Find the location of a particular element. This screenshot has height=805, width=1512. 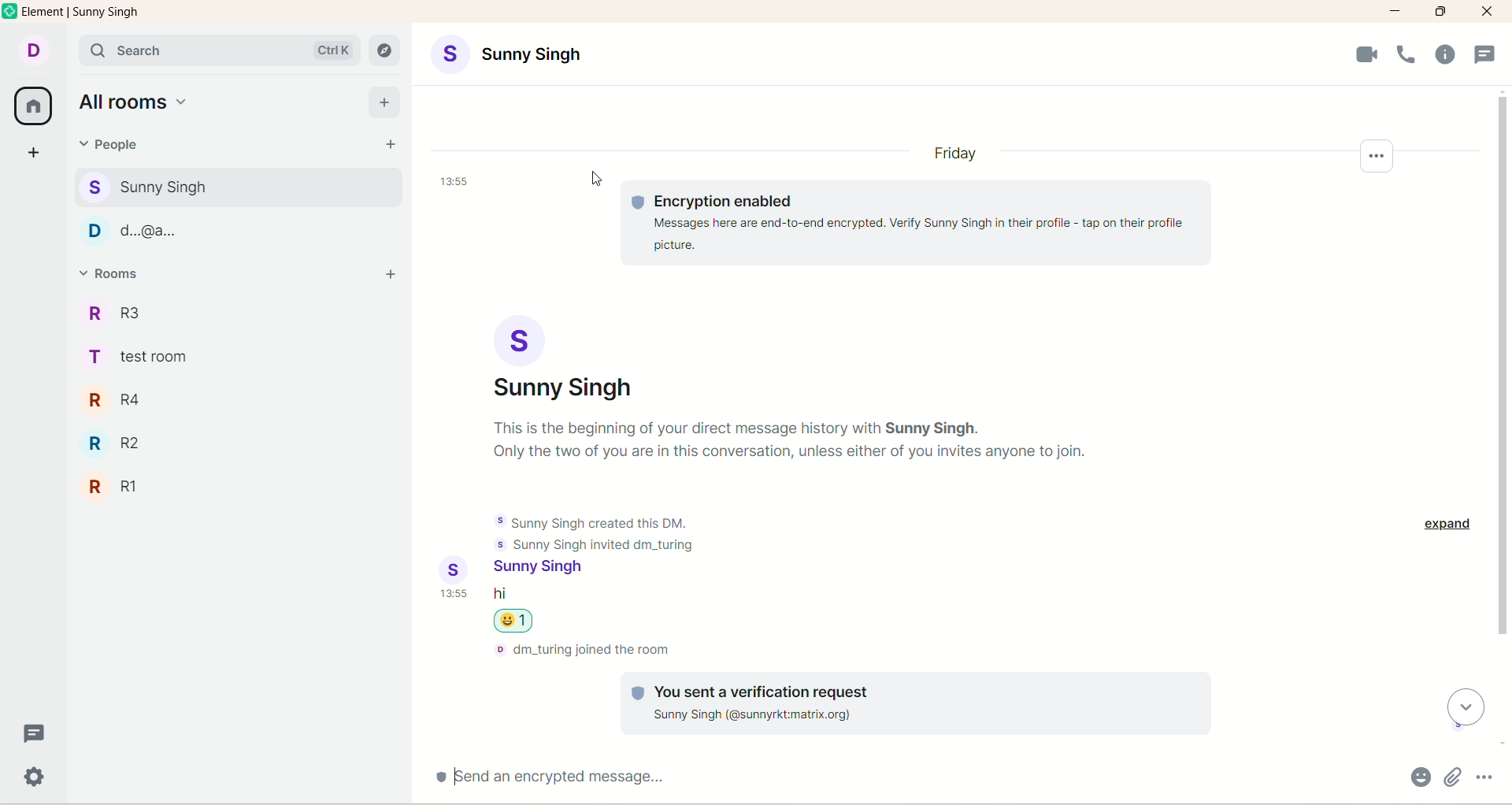

Sunny Singh chat is located at coordinates (238, 187).